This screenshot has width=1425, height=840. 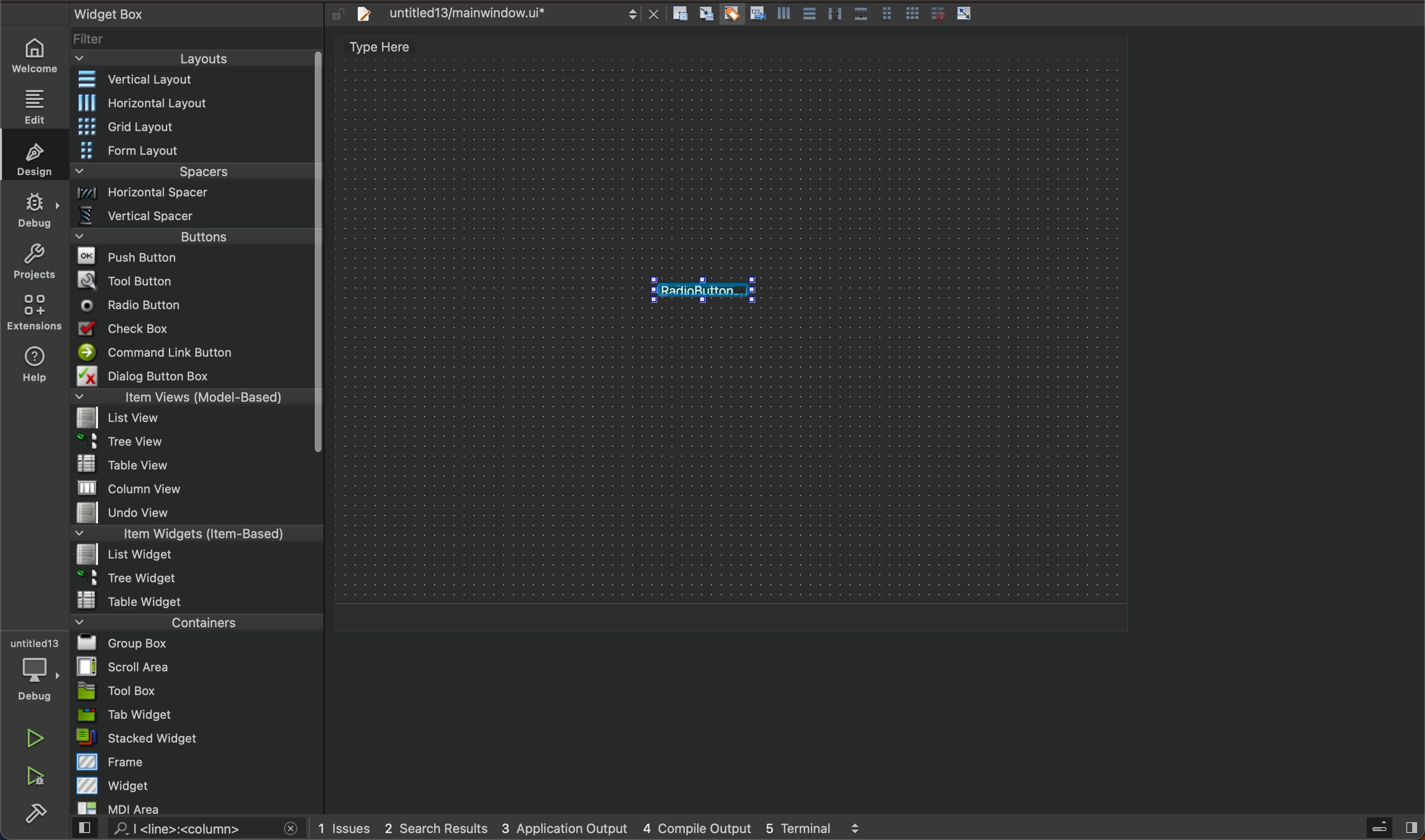 What do you see at coordinates (198, 738) in the screenshot?
I see `stacked widget` at bounding box center [198, 738].